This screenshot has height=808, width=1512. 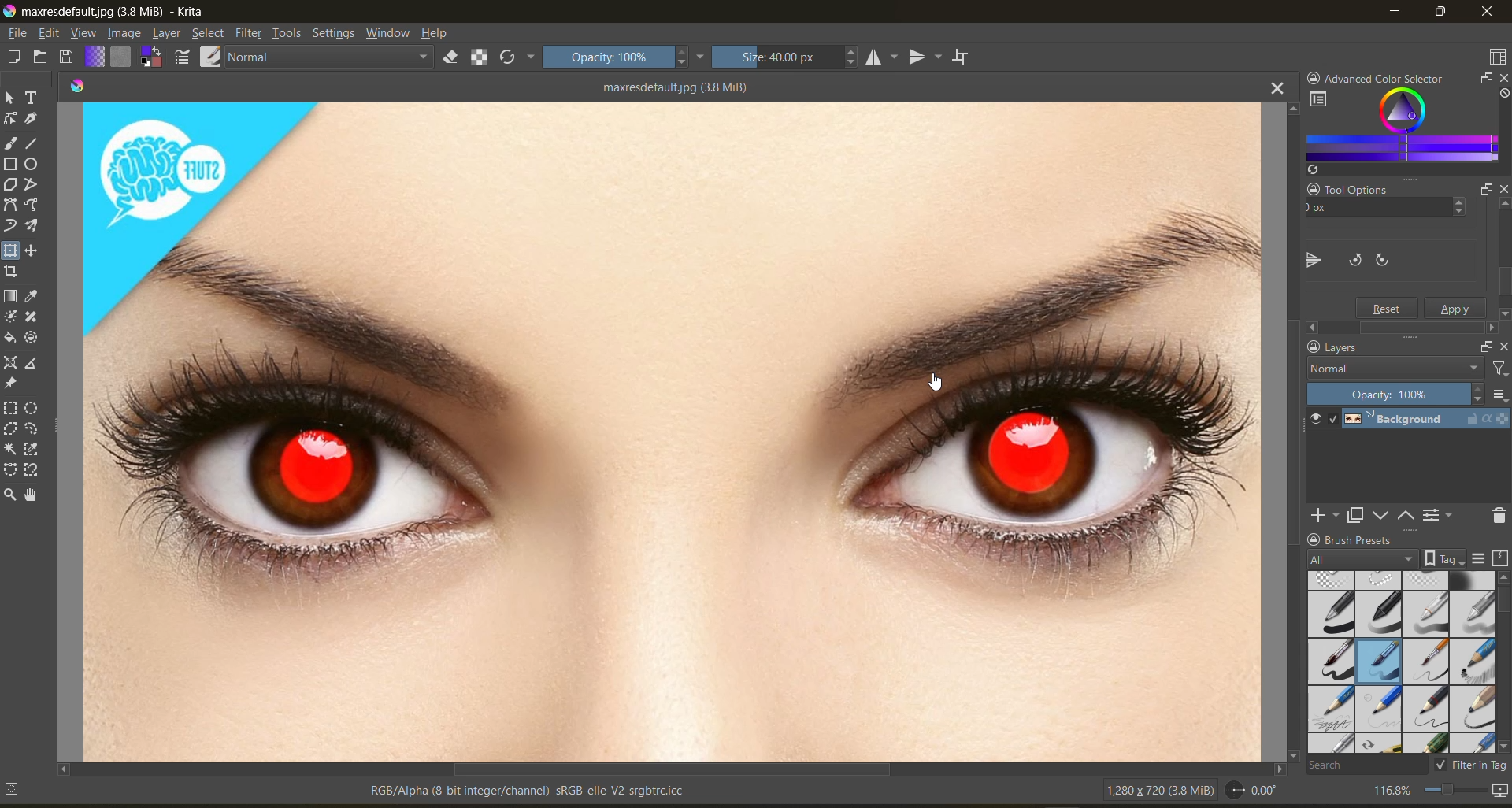 What do you see at coordinates (1484, 80) in the screenshot?
I see `float docker` at bounding box center [1484, 80].